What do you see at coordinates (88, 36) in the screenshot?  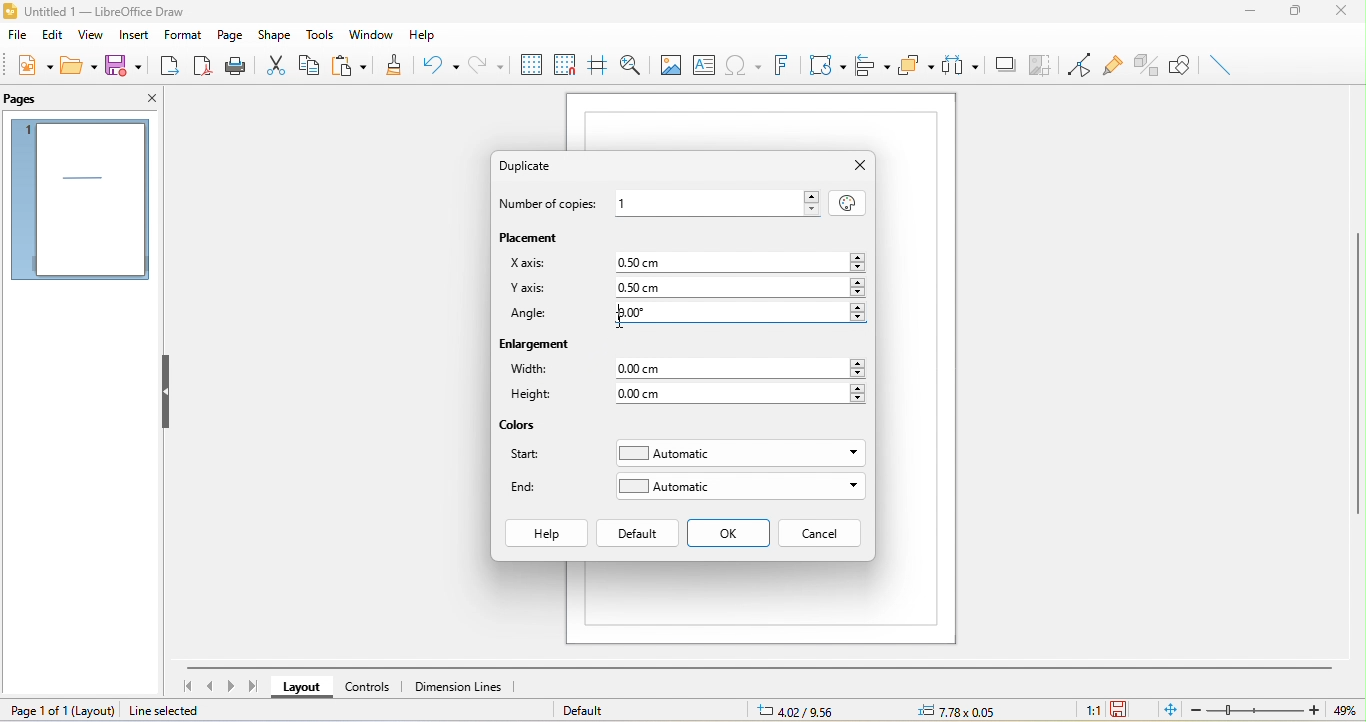 I see `view` at bounding box center [88, 36].